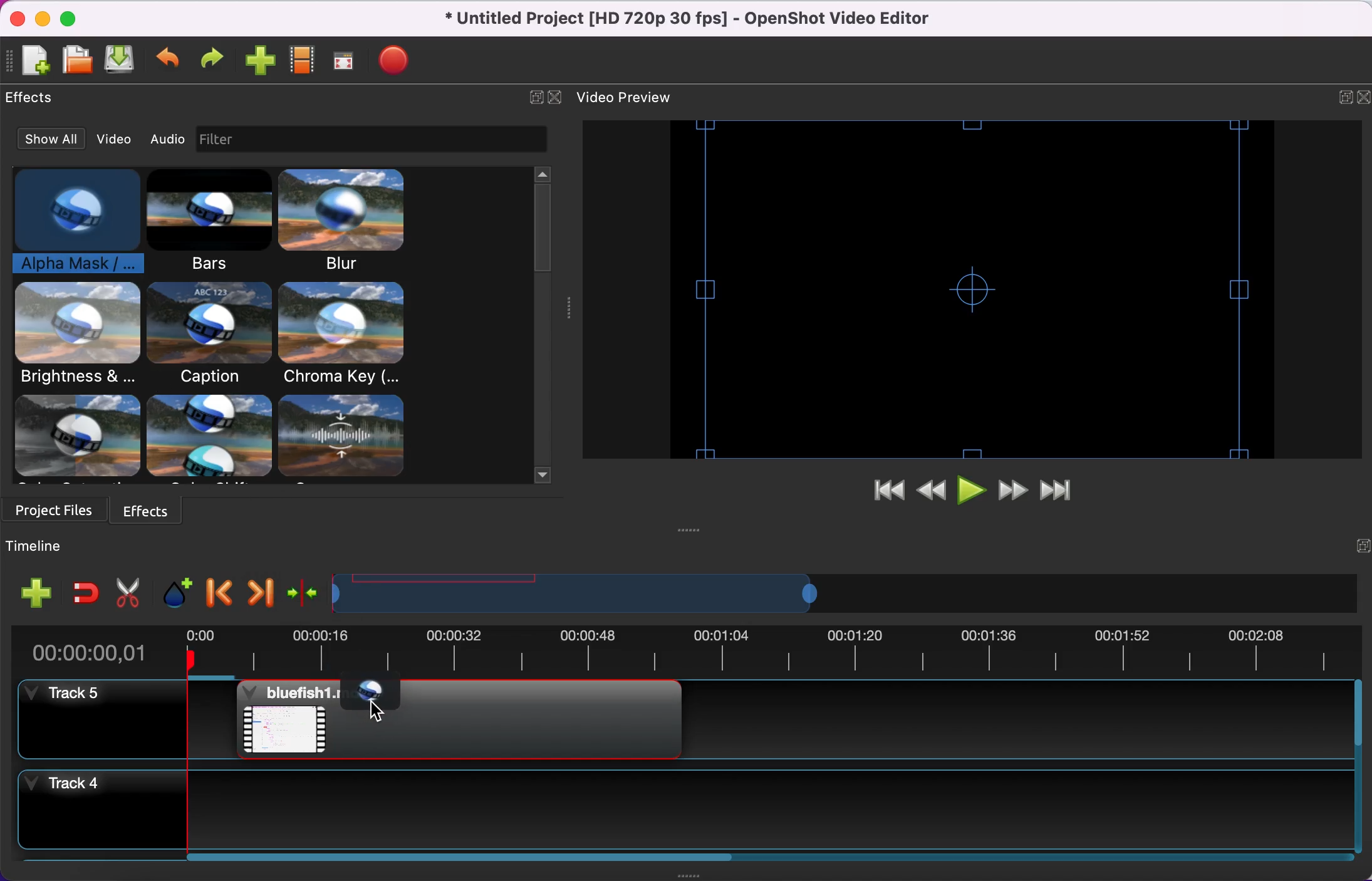 The height and width of the screenshot is (881, 1372). What do you see at coordinates (375, 709) in the screenshot?
I see `Cursor` at bounding box center [375, 709].